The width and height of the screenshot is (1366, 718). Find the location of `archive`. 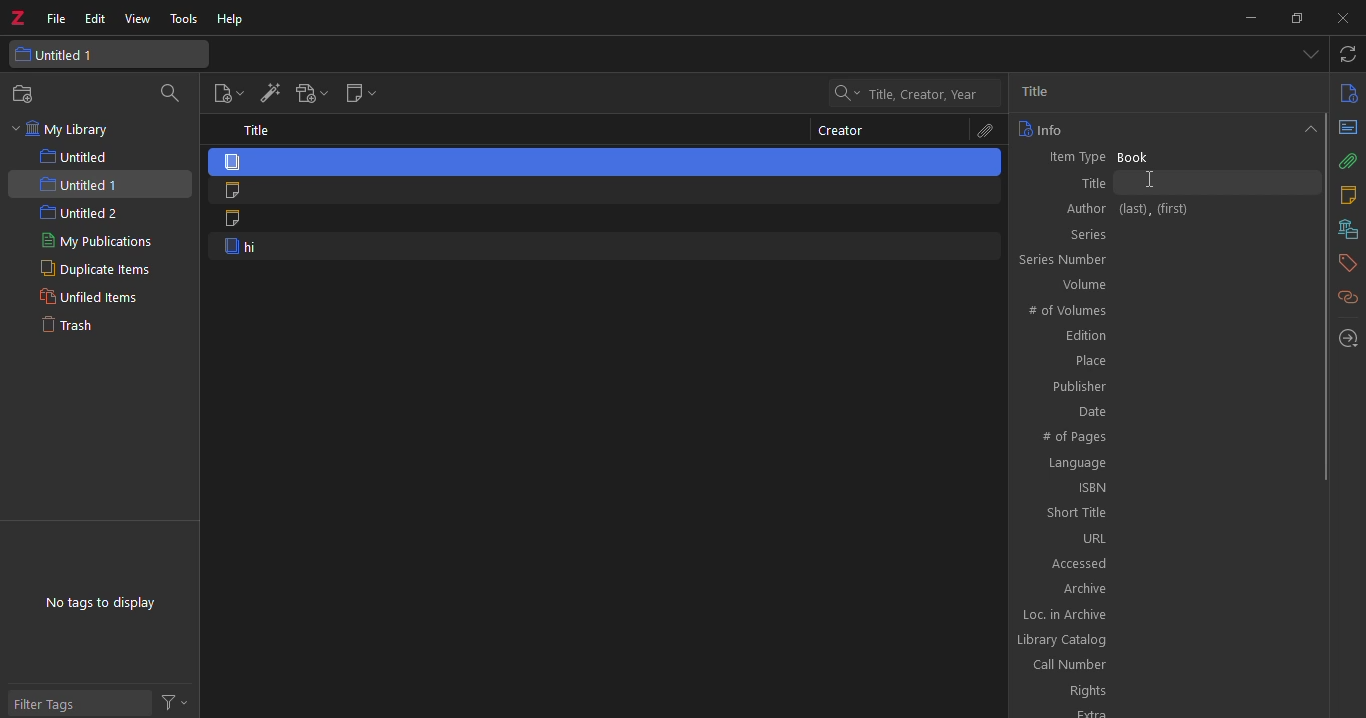

archive is located at coordinates (1164, 587).